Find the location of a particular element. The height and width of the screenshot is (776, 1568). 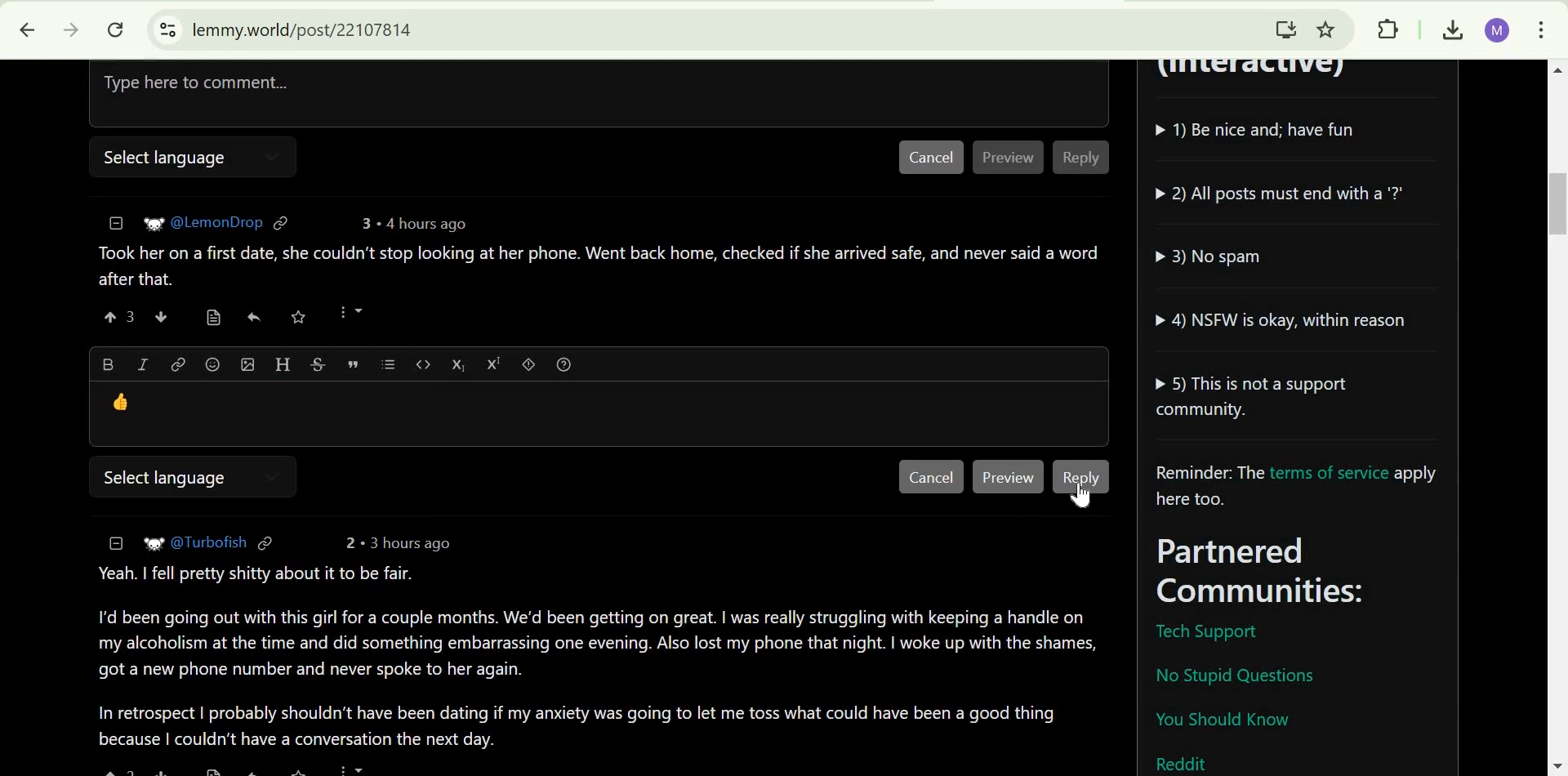

picture is located at coordinates (154, 222).